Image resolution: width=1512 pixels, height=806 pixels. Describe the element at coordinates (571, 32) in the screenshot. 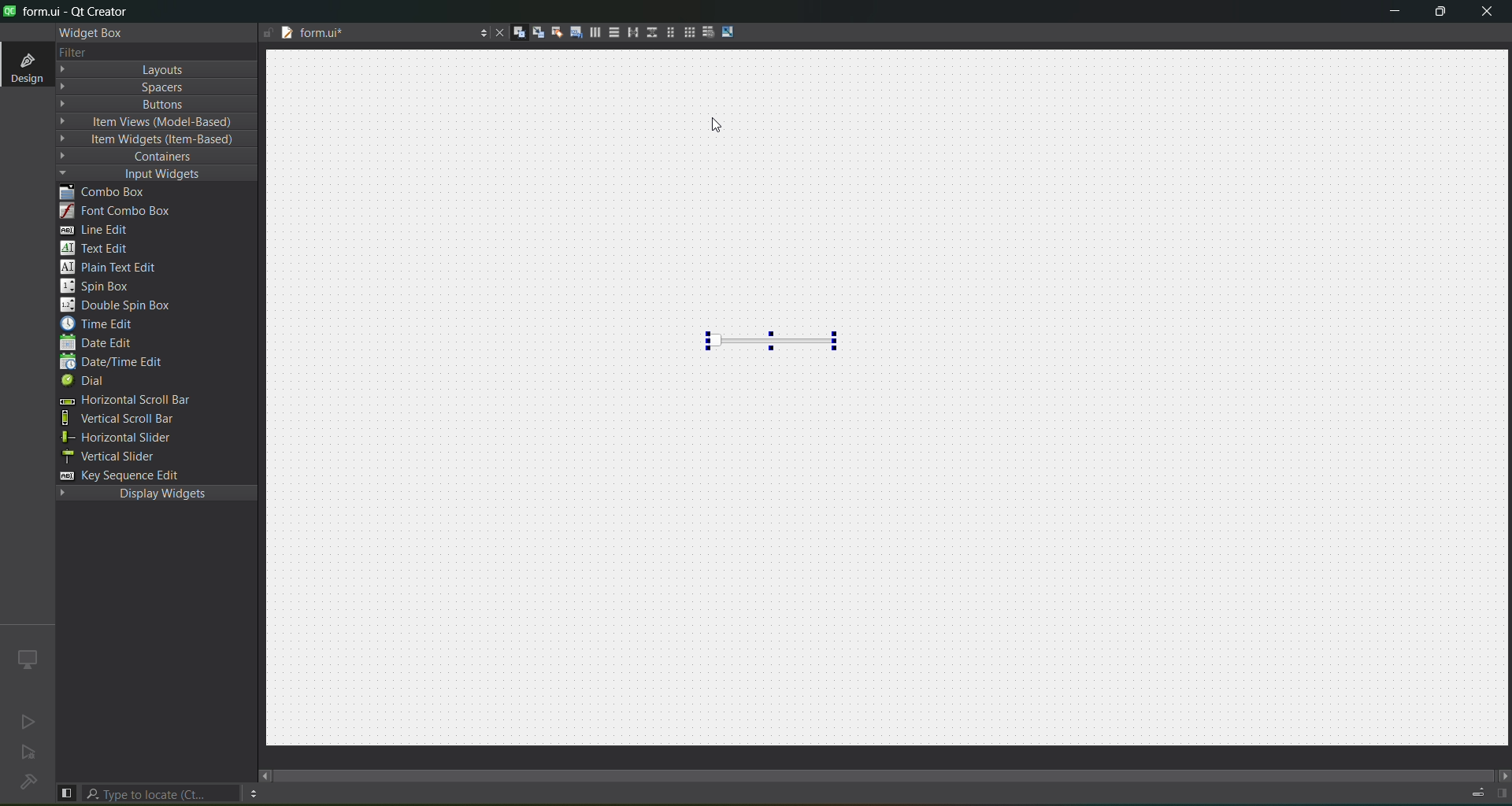

I see `tab order` at that location.